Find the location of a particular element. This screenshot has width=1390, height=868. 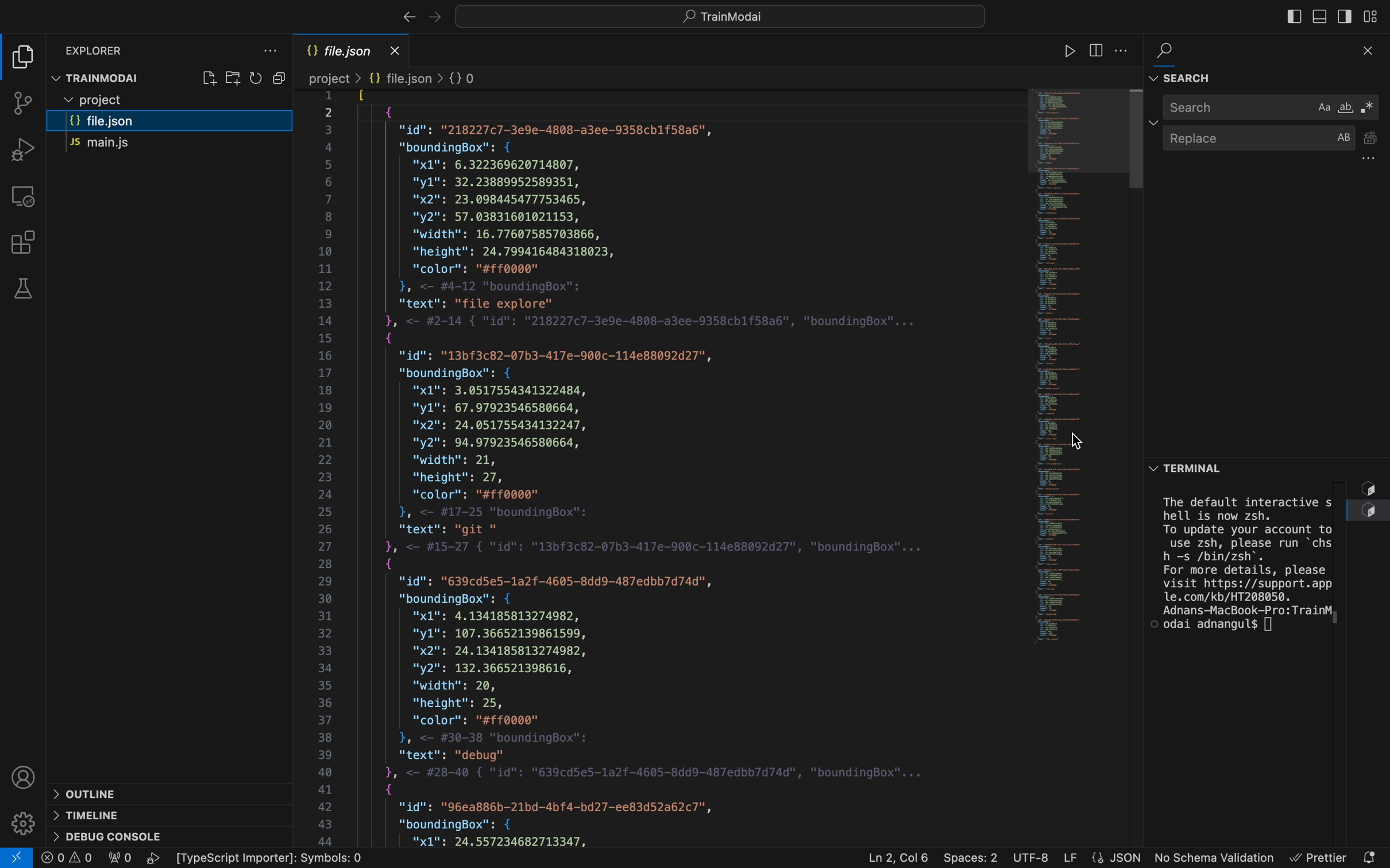

notification is located at coordinates (1371, 853).